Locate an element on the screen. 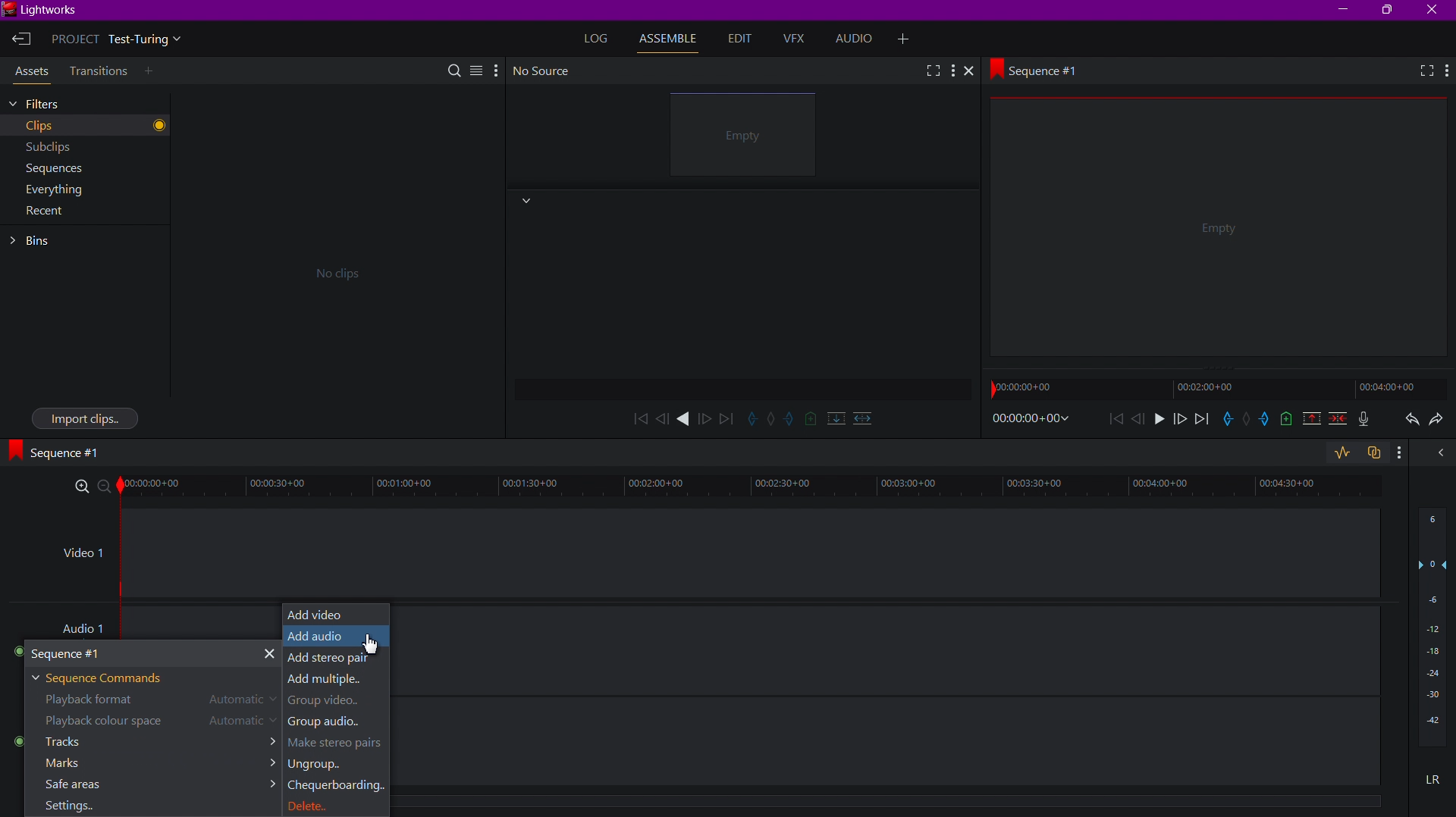  Group video is located at coordinates (328, 703).